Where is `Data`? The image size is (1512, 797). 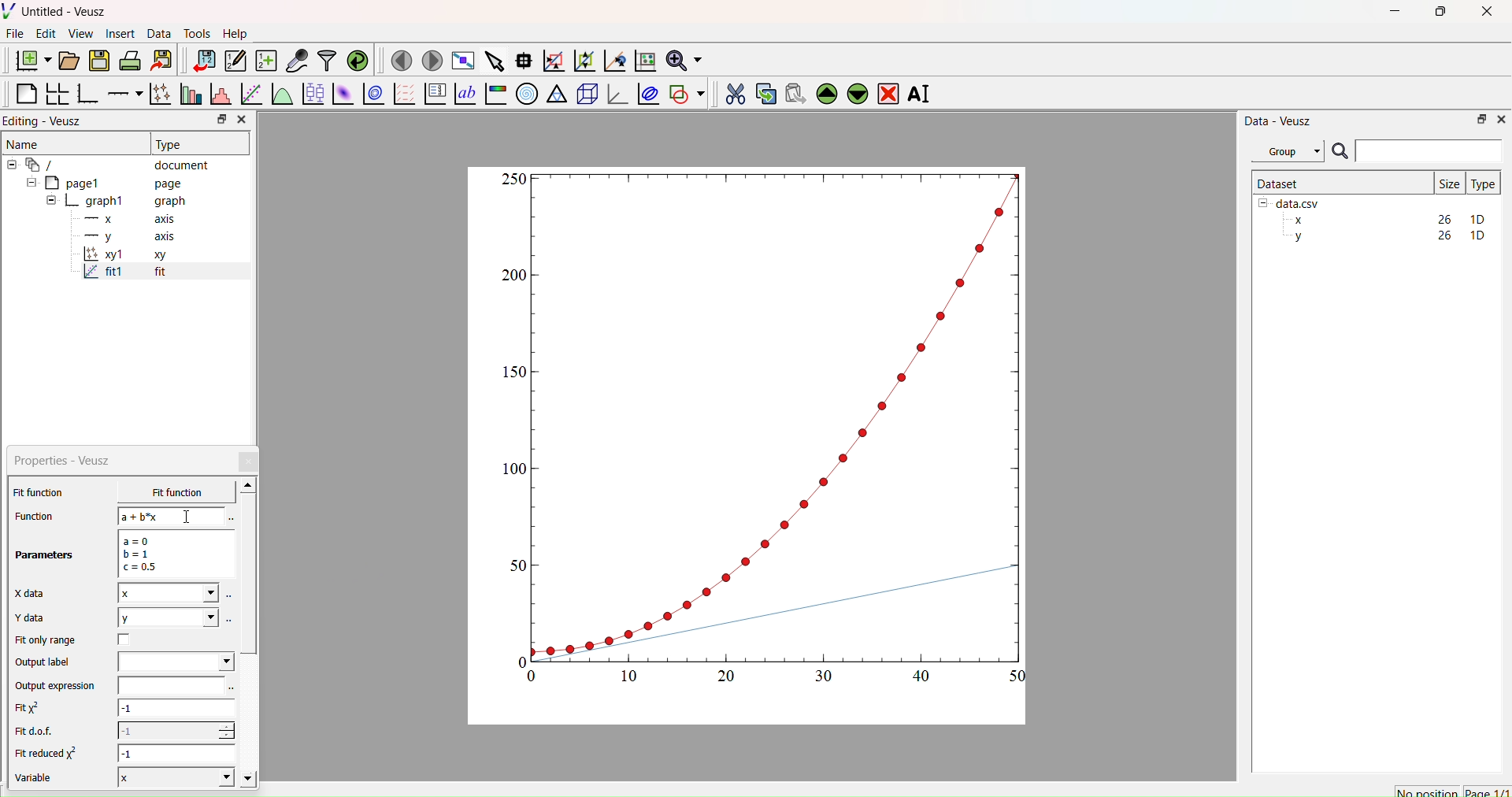 Data is located at coordinates (158, 34).